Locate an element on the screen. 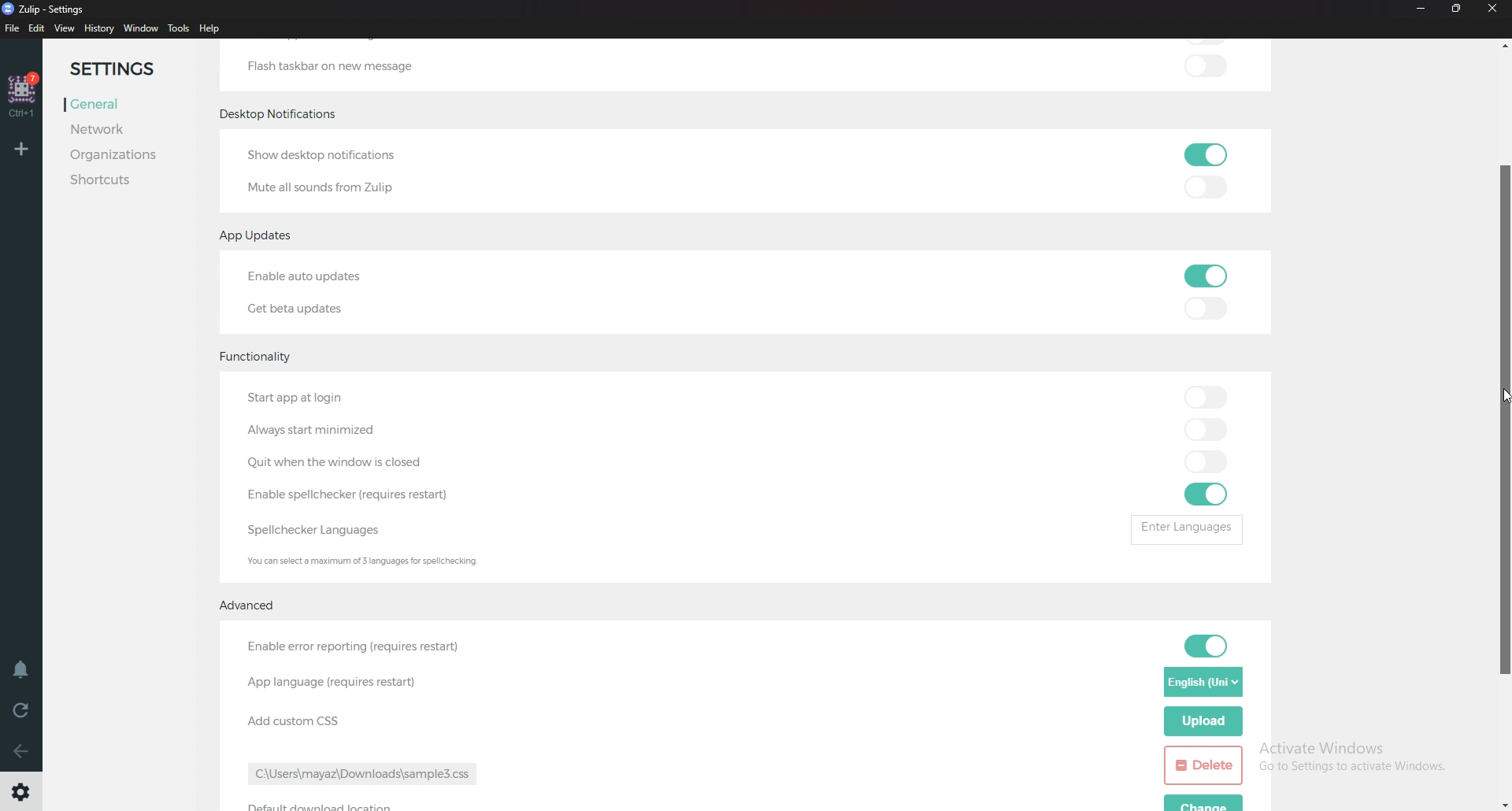 This screenshot has height=811, width=1512. Minimize is located at coordinates (1422, 9).